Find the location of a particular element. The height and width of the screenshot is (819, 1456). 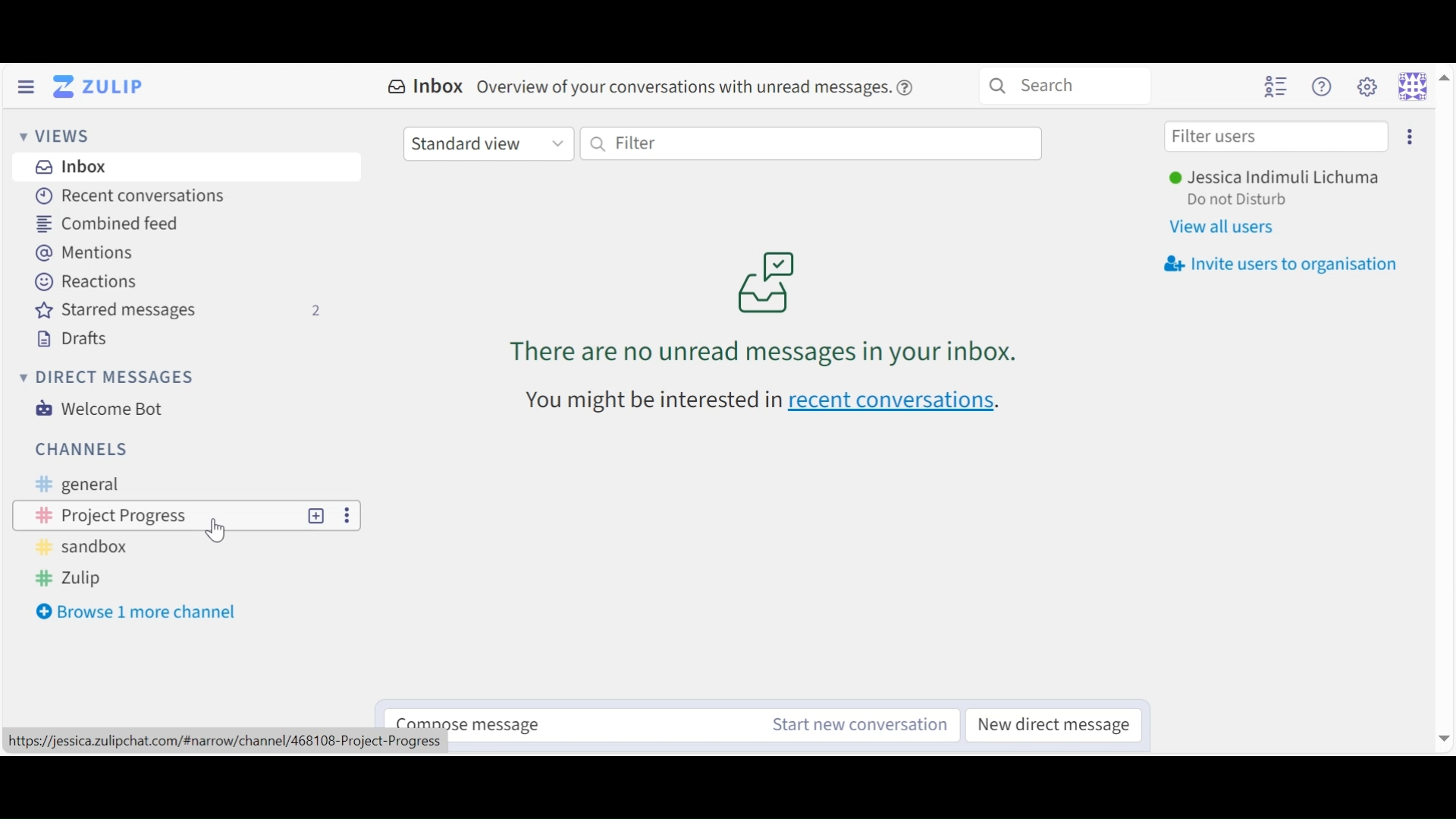

# Zulip is located at coordinates (73, 580).